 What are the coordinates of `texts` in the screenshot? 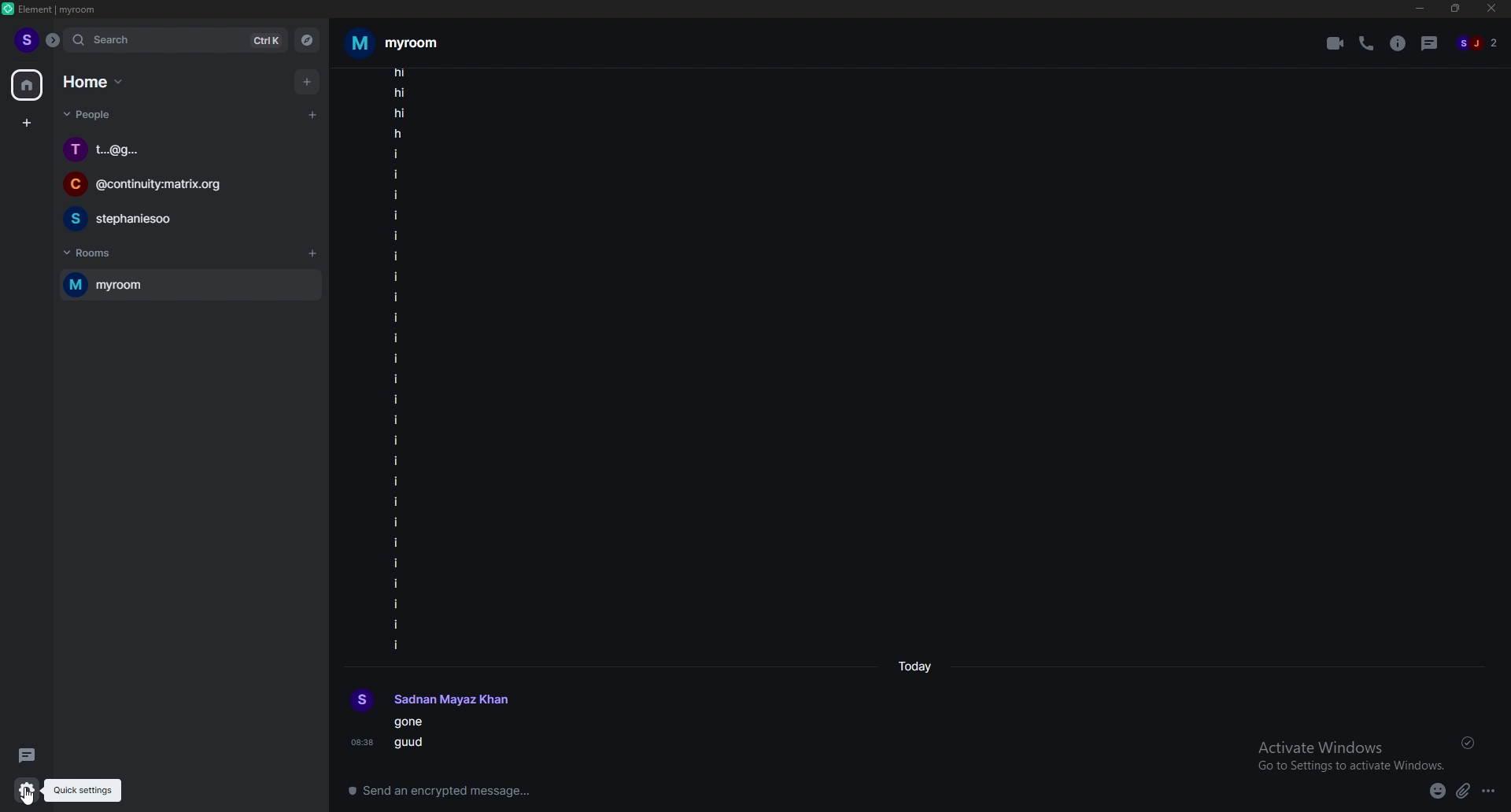 It's located at (401, 359).